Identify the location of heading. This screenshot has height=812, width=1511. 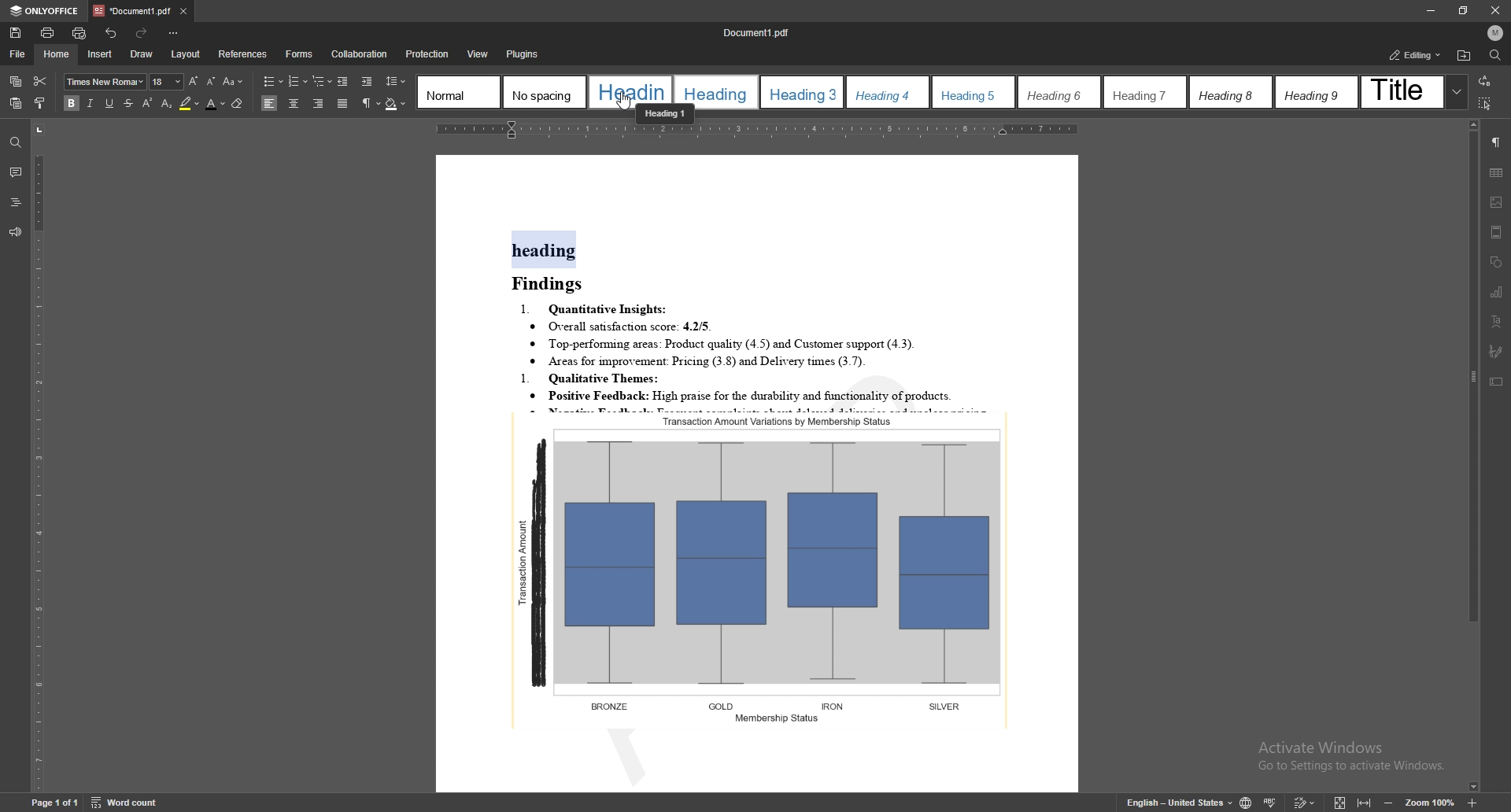
(545, 250).